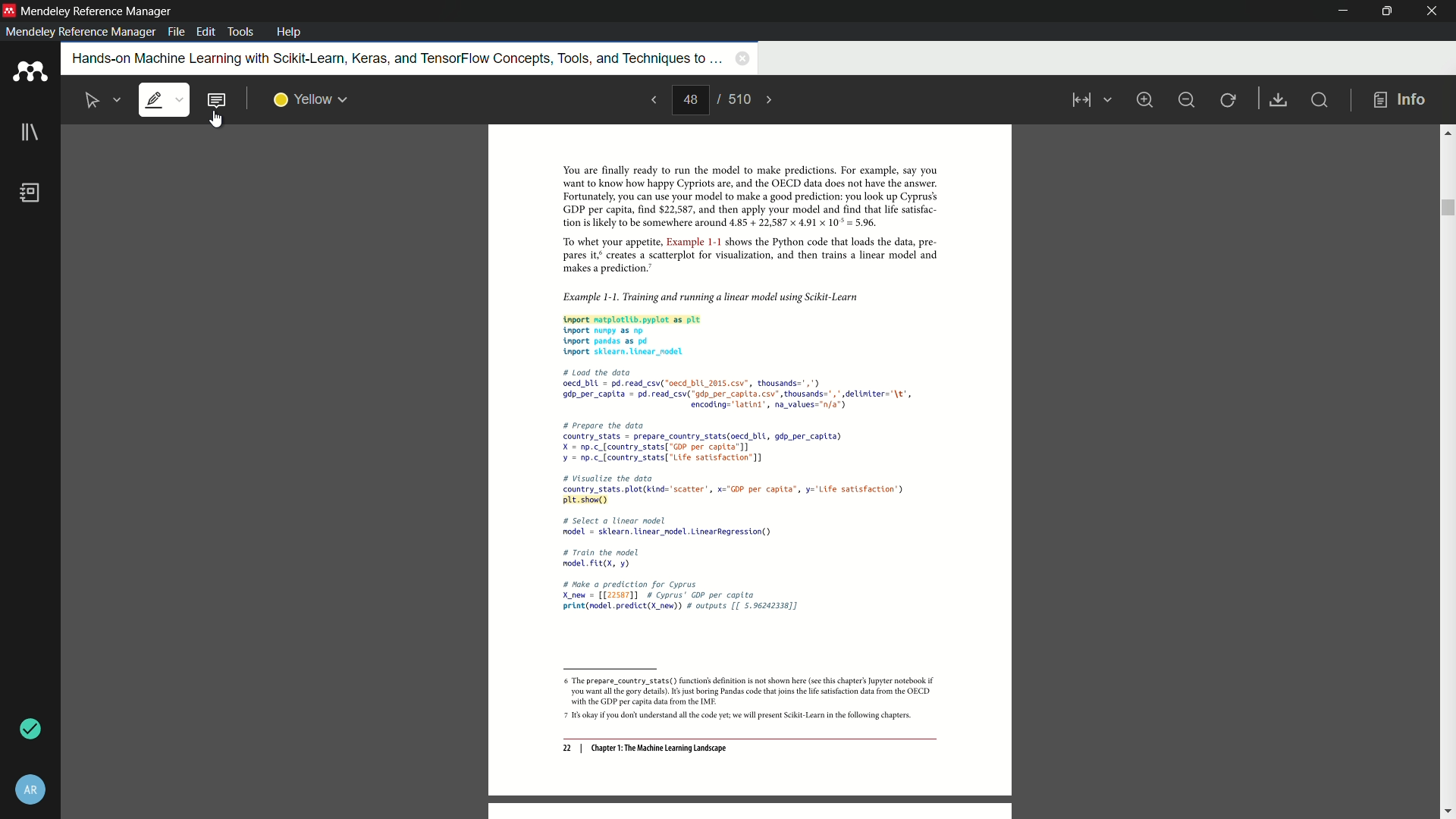  I want to click on book name, so click(394, 59).